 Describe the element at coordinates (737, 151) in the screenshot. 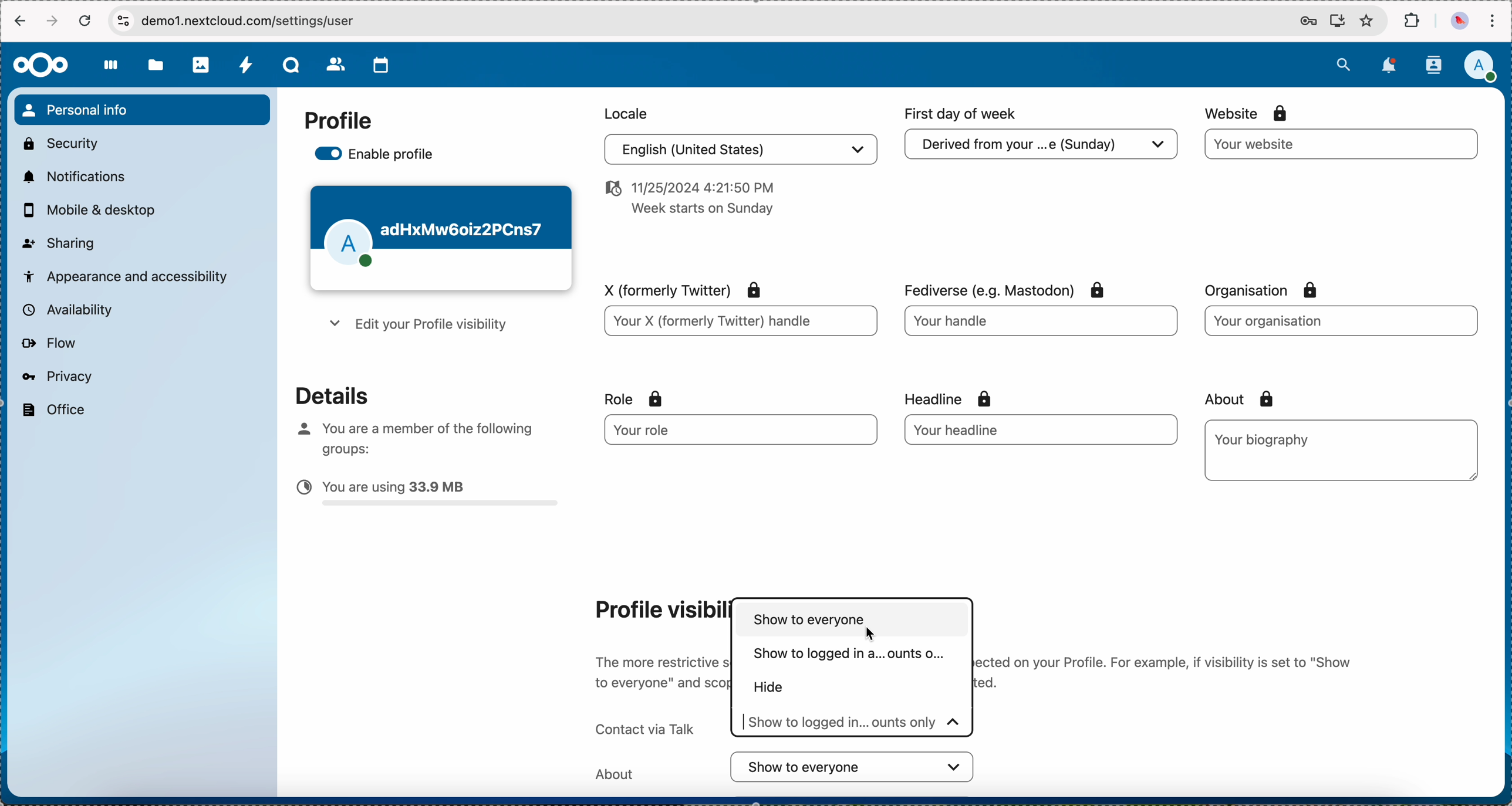

I see `english` at that location.